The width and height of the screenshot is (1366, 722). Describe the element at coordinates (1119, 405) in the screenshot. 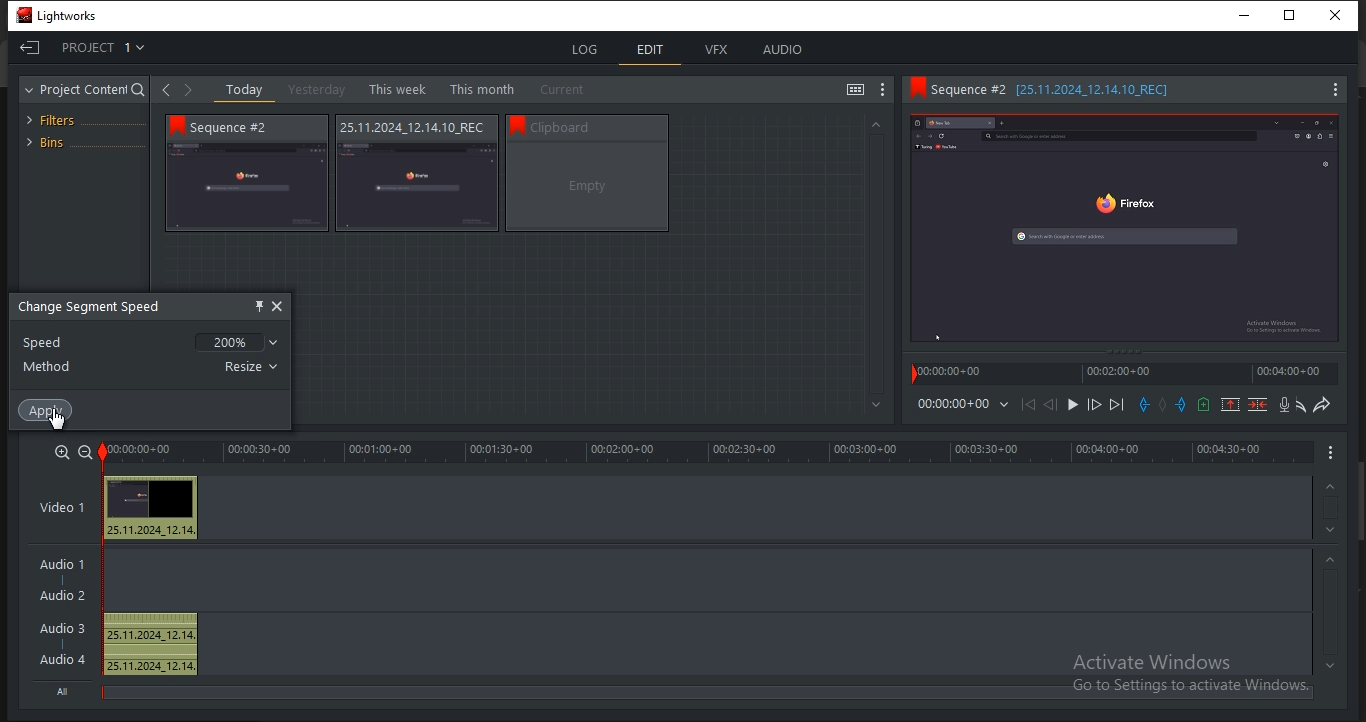

I see `move forward` at that location.